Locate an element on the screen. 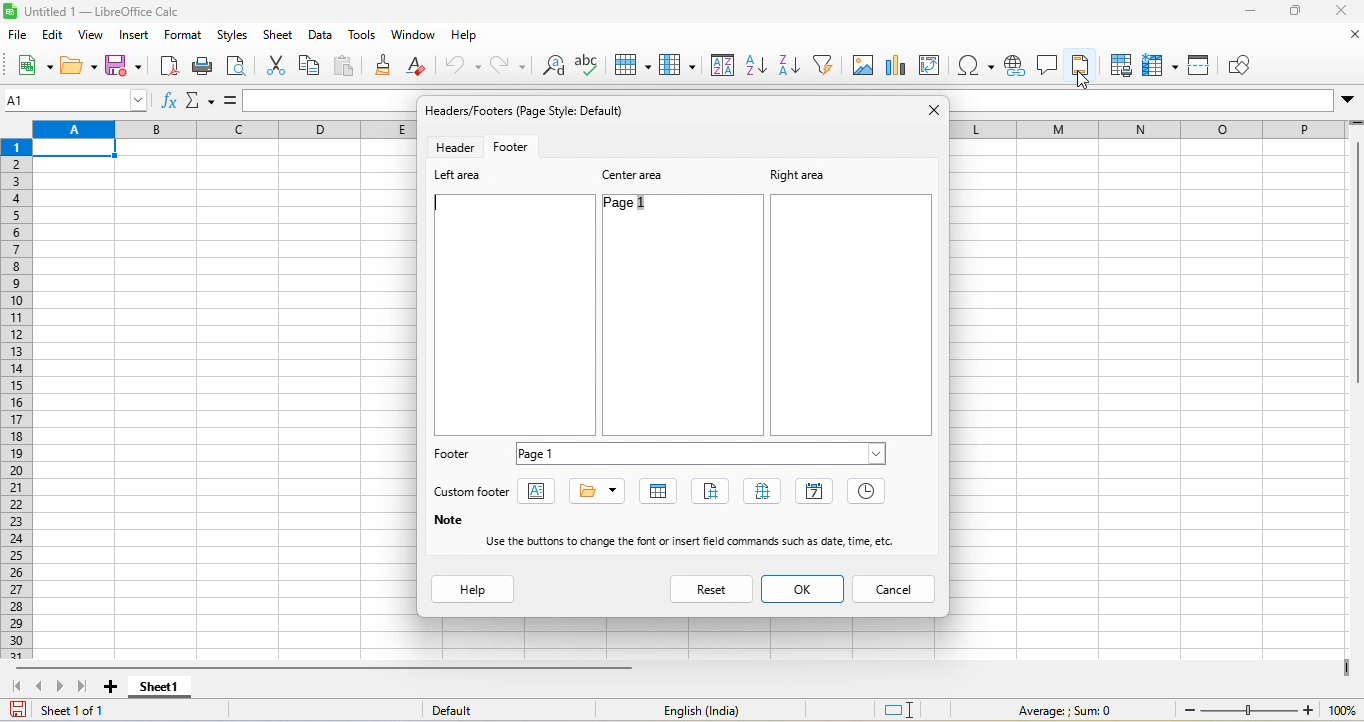  paste is located at coordinates (349, 67).